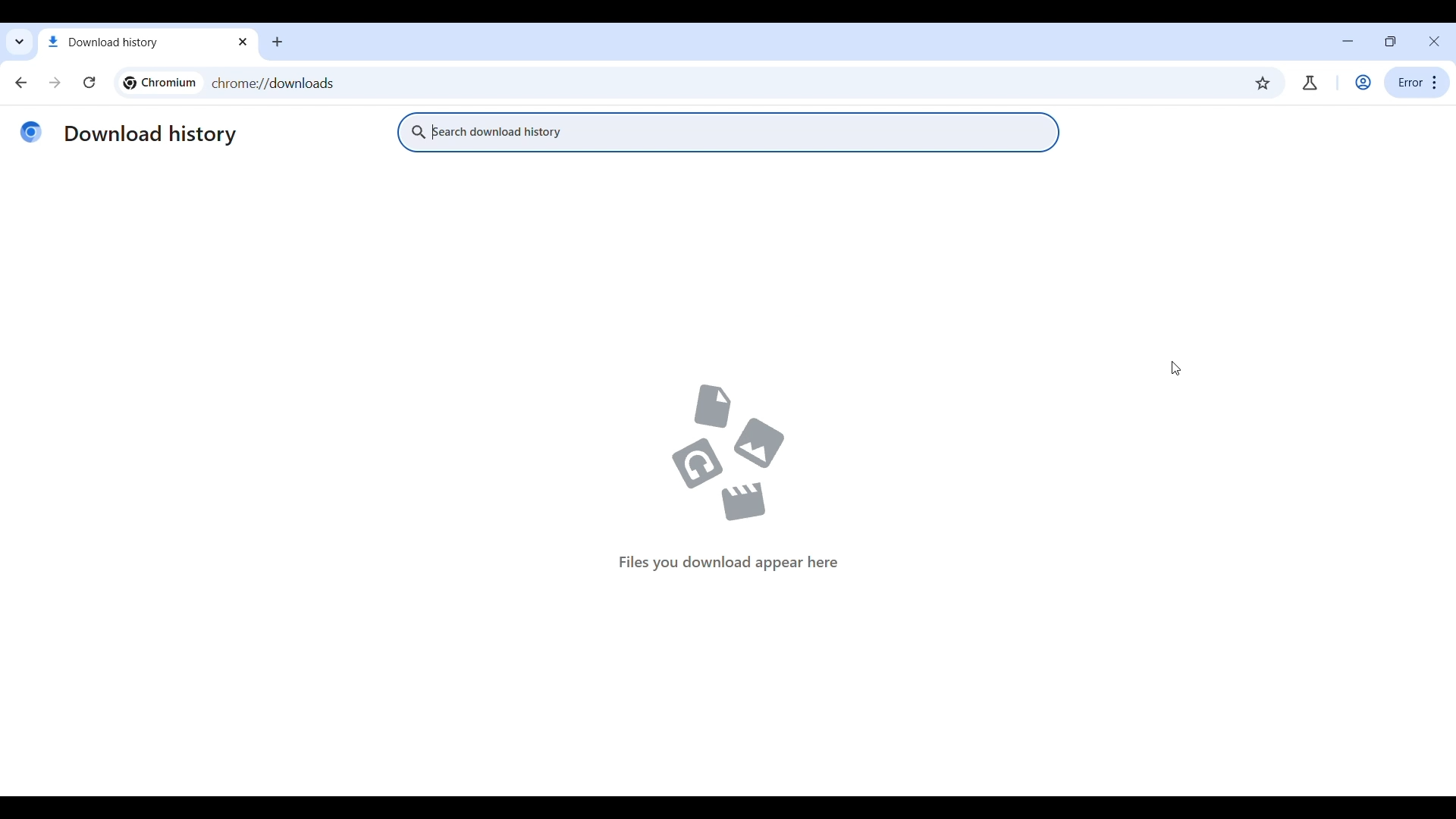 The height and width of the screenshot is (819, 1456). Describe the element at coordinates (20, 42) in the screenshot. I see `Search tabs` at that location.